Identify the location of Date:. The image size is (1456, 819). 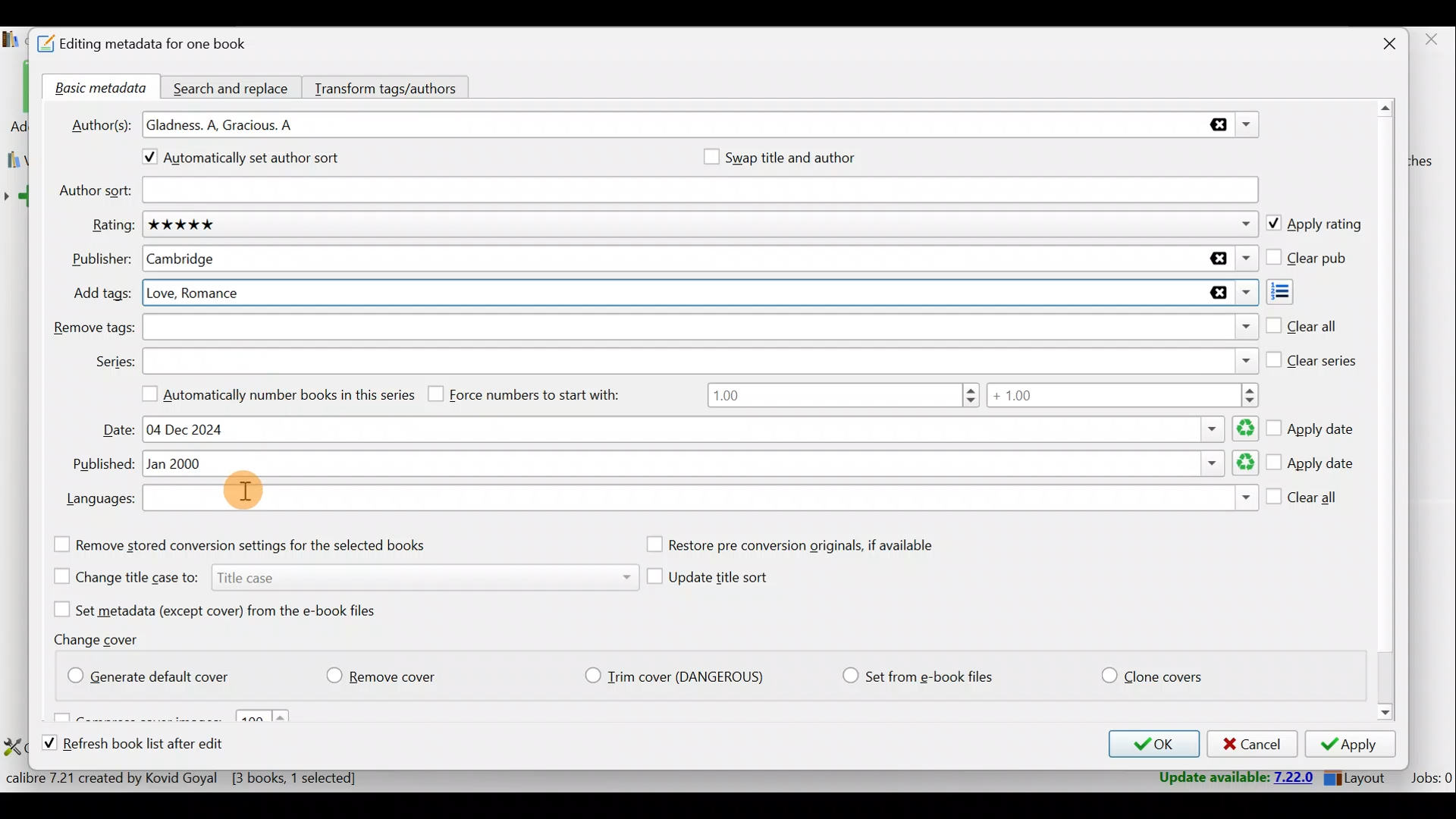
(119, 430).